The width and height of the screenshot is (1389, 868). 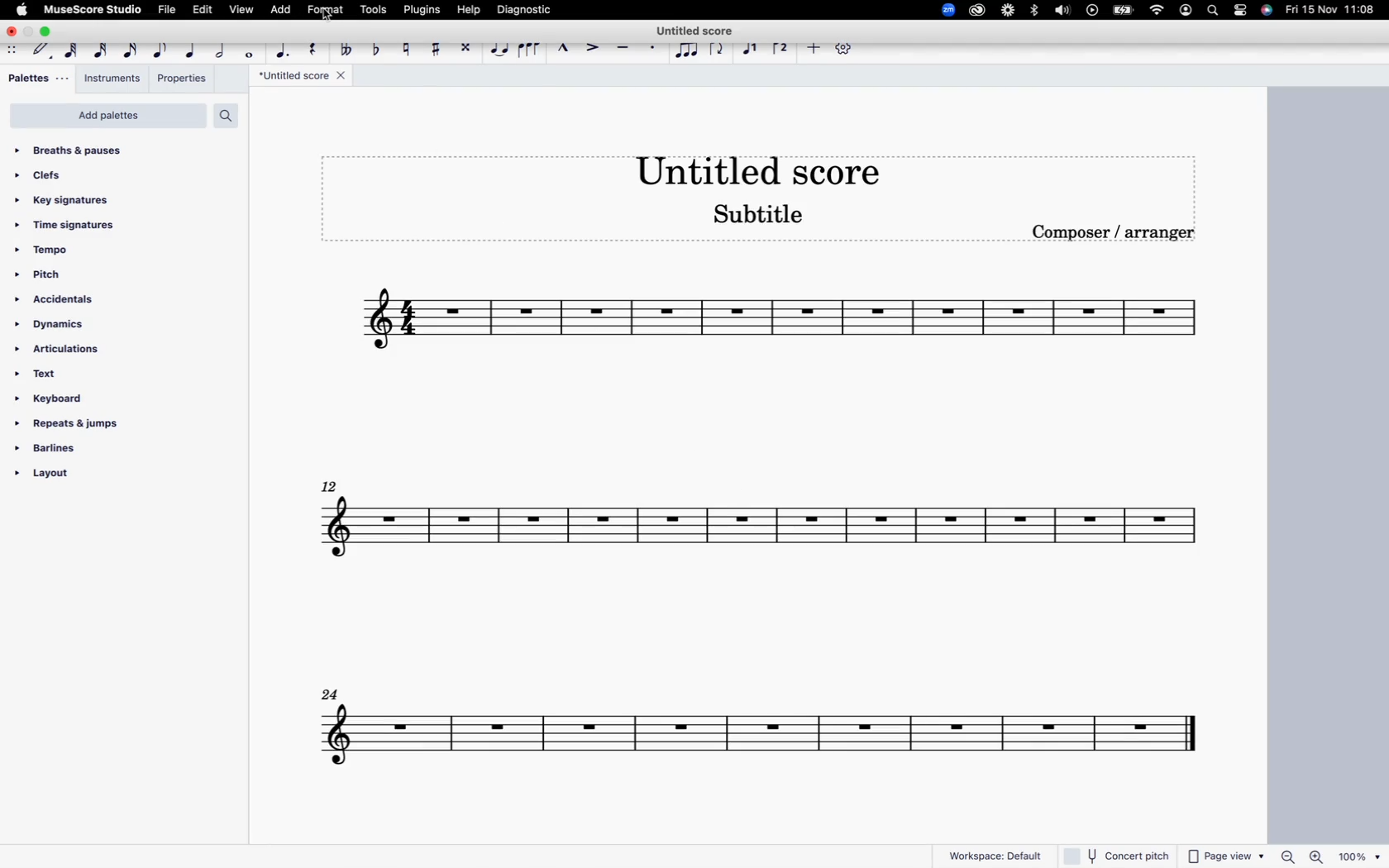 What do you see at coordinates (200, 9) in the screenshot?
I see `edit` at bounding box center [200, 9].